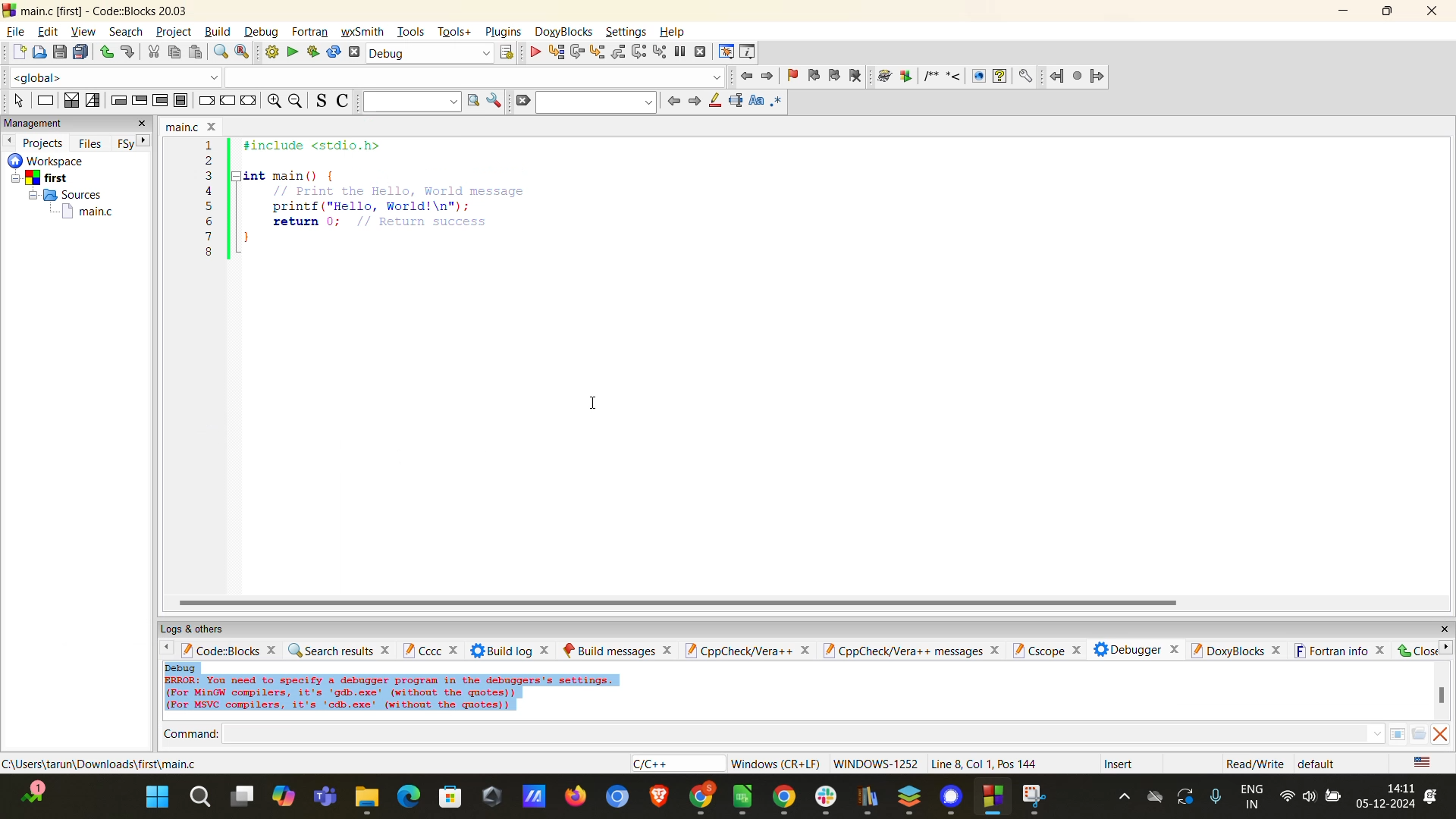 The height and width of the screenshot is (819, 1456). Describe the element at coordinates (836, 77) in the screenshot. I see `next bookmark` at that location.